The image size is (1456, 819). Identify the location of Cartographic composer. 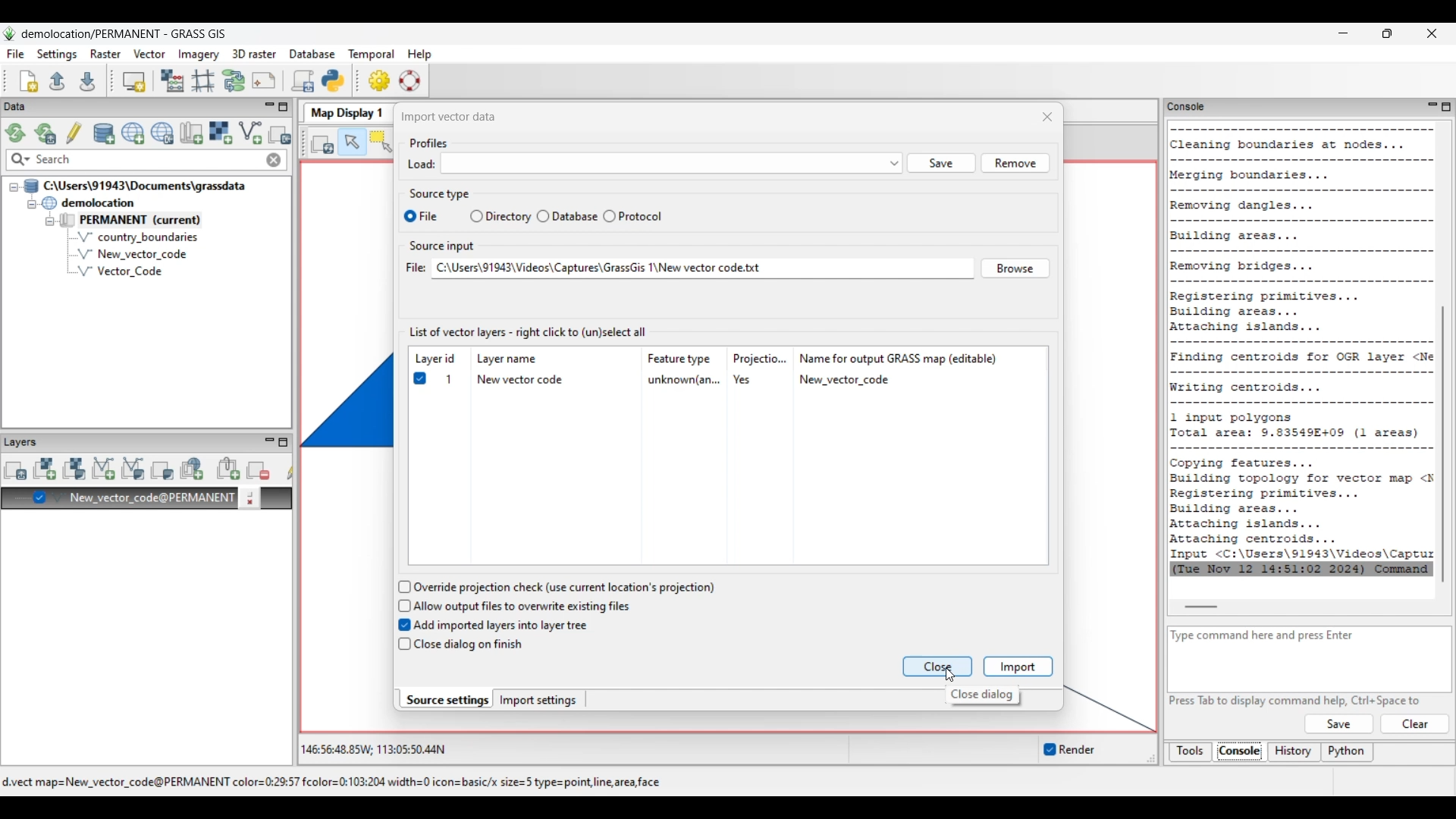
(264, 81).